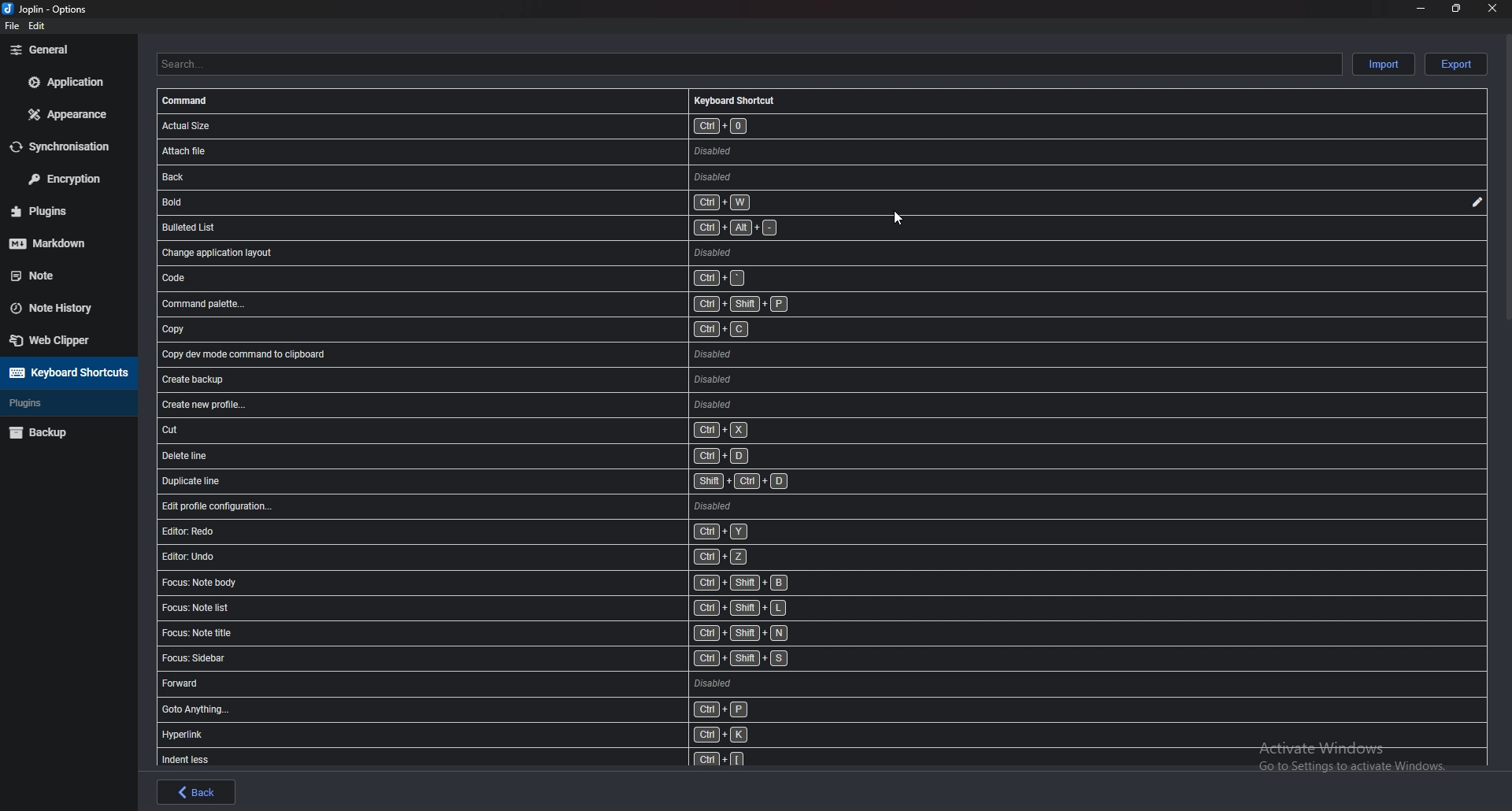  What do you see at coordinates (518, 635) in the screenshot?
I see `shortcut` at bounding box center [518, 635].